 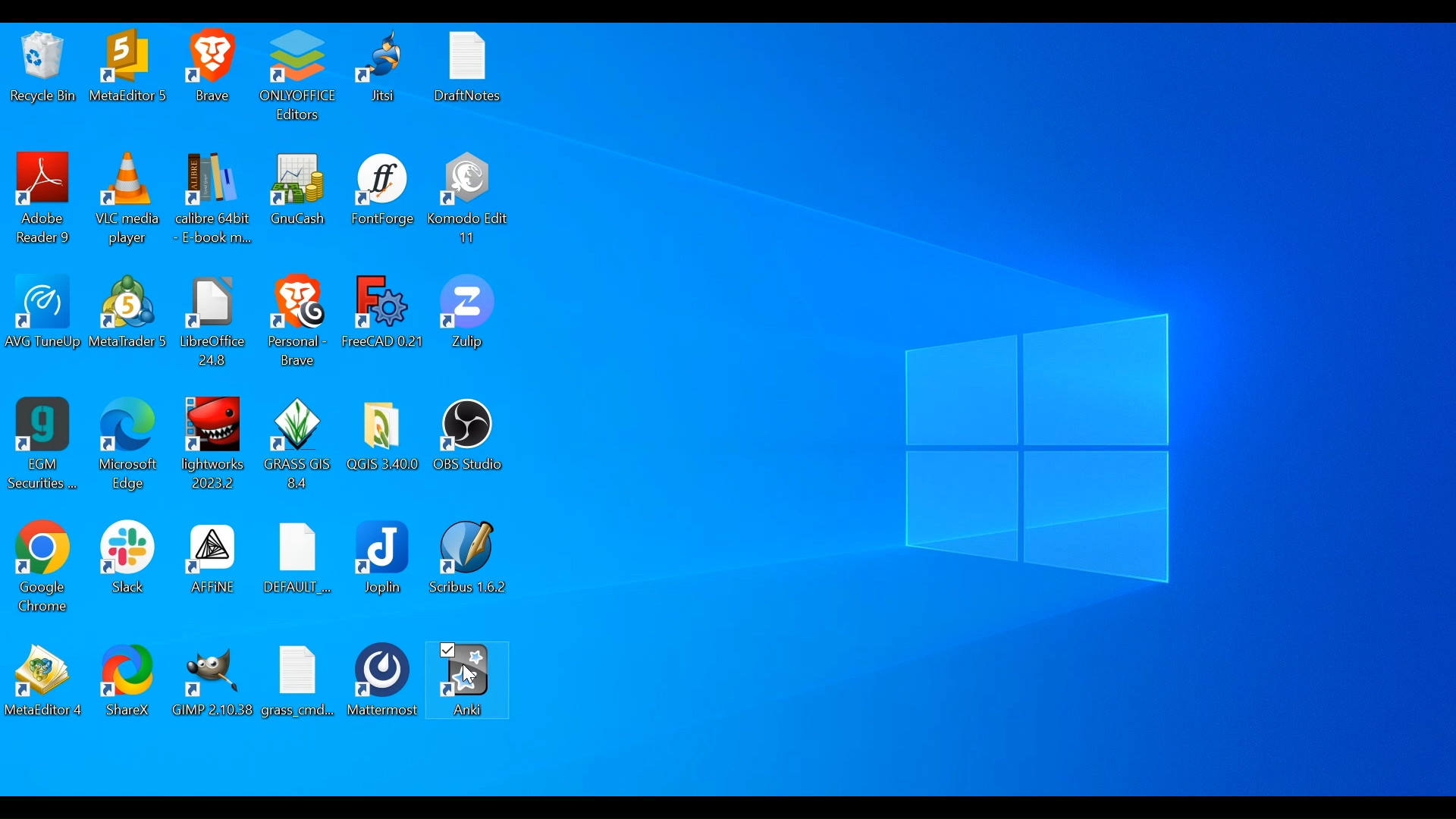 What do you see at coordinates (467, 199) in the screenshot?
I see `Komodo Edit Desktop icon` at bounding box center [467, 199].